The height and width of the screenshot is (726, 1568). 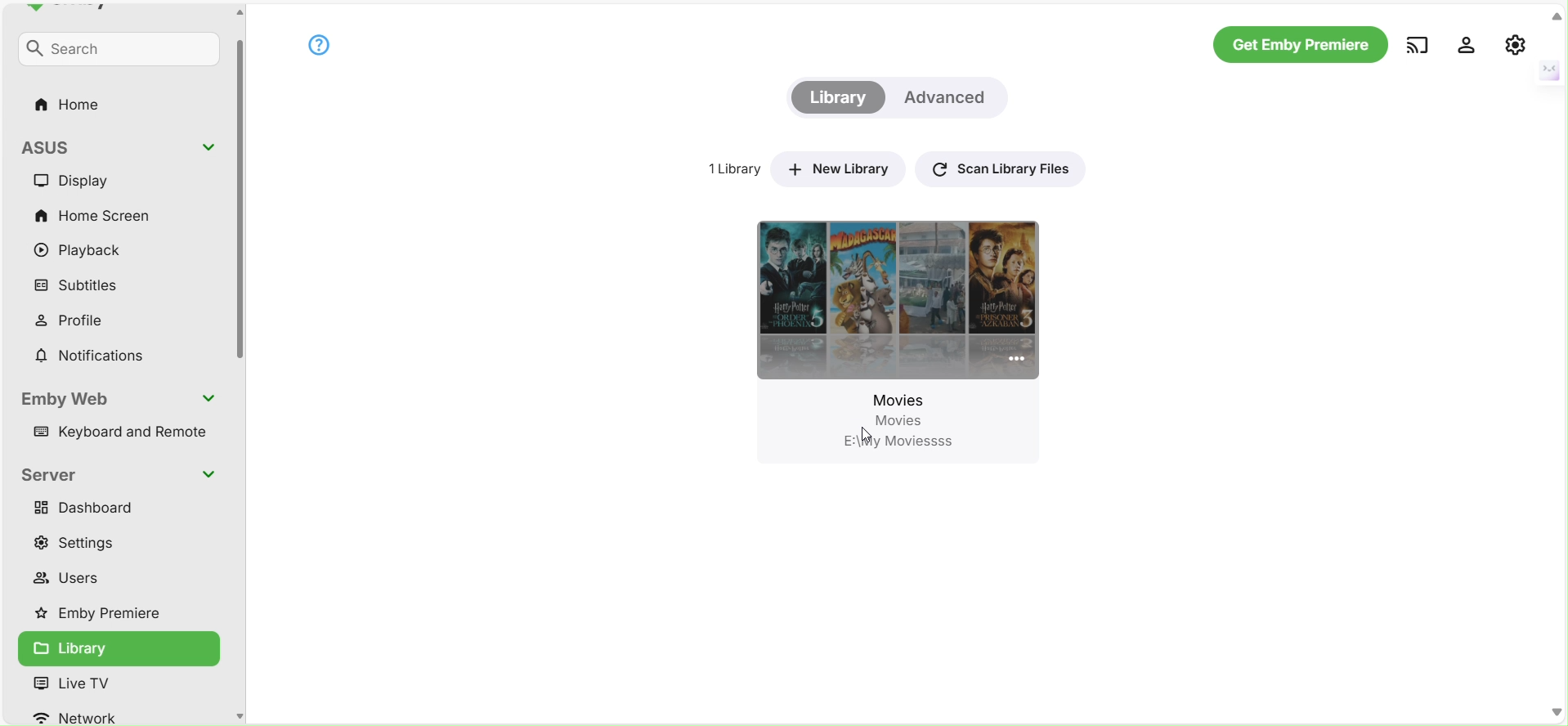 I want to click on Profile, so click(x=81, y=320).